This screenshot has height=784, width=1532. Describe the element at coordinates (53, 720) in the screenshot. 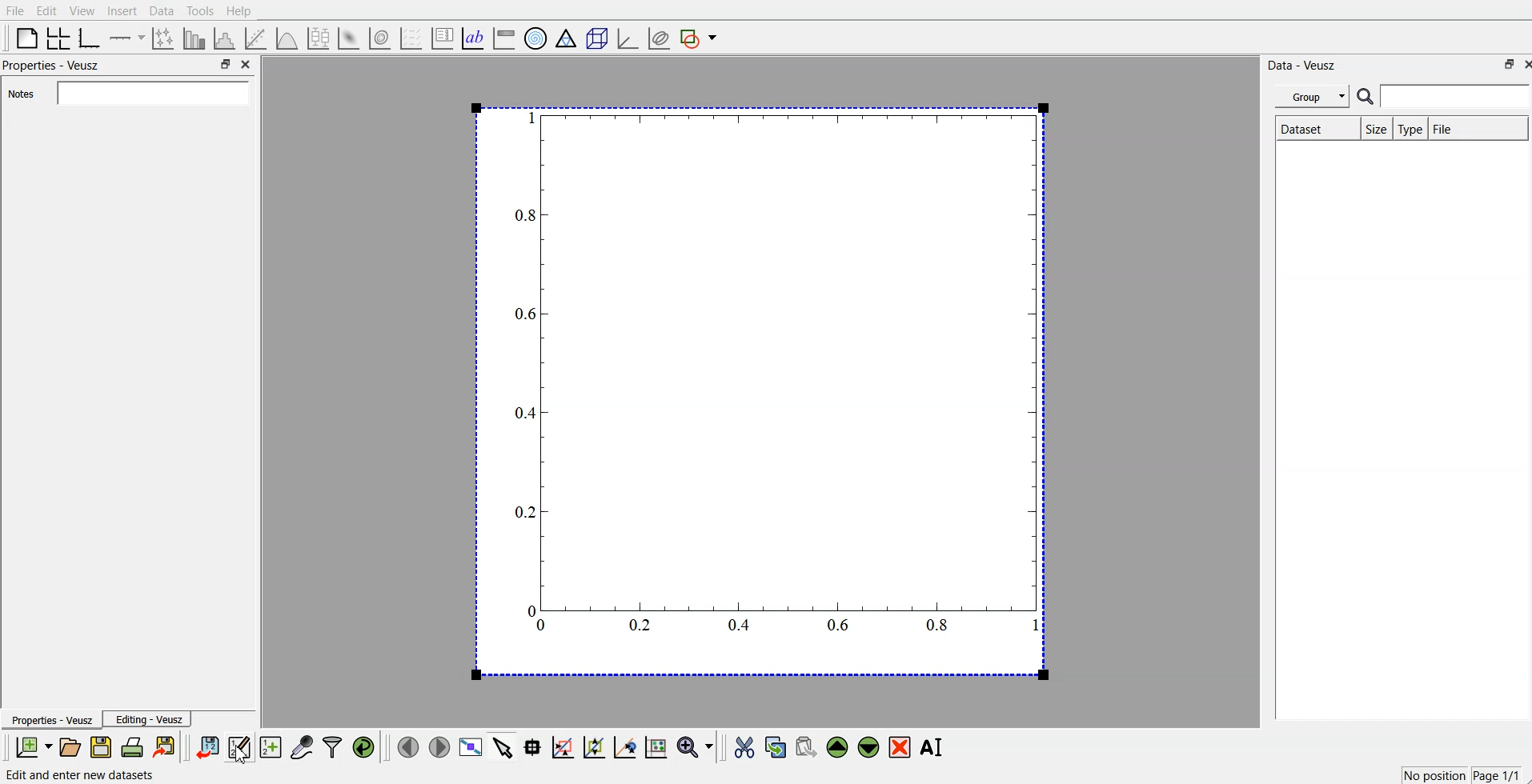

I see `Properties - Veusz` at that location.